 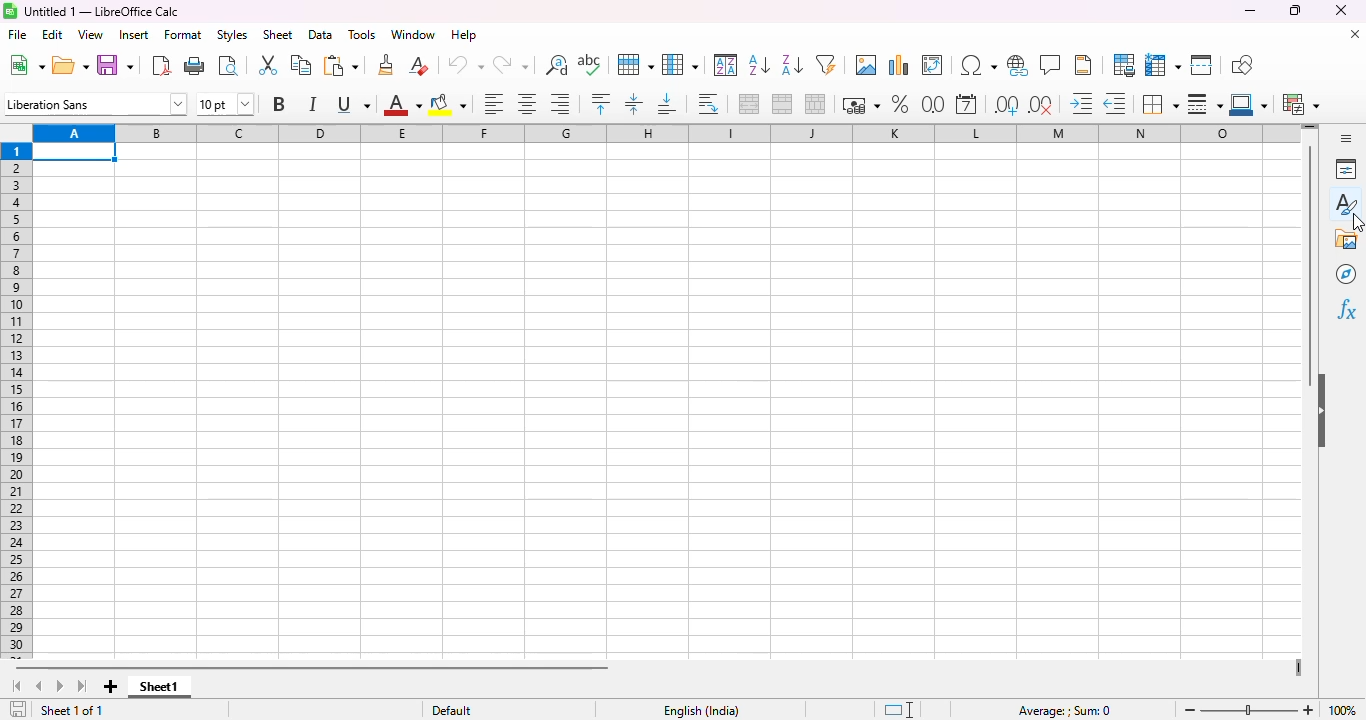 What do you see at coordinates (184, 35) in the screenshot?
I see `format` at bounding box center [184, 35].